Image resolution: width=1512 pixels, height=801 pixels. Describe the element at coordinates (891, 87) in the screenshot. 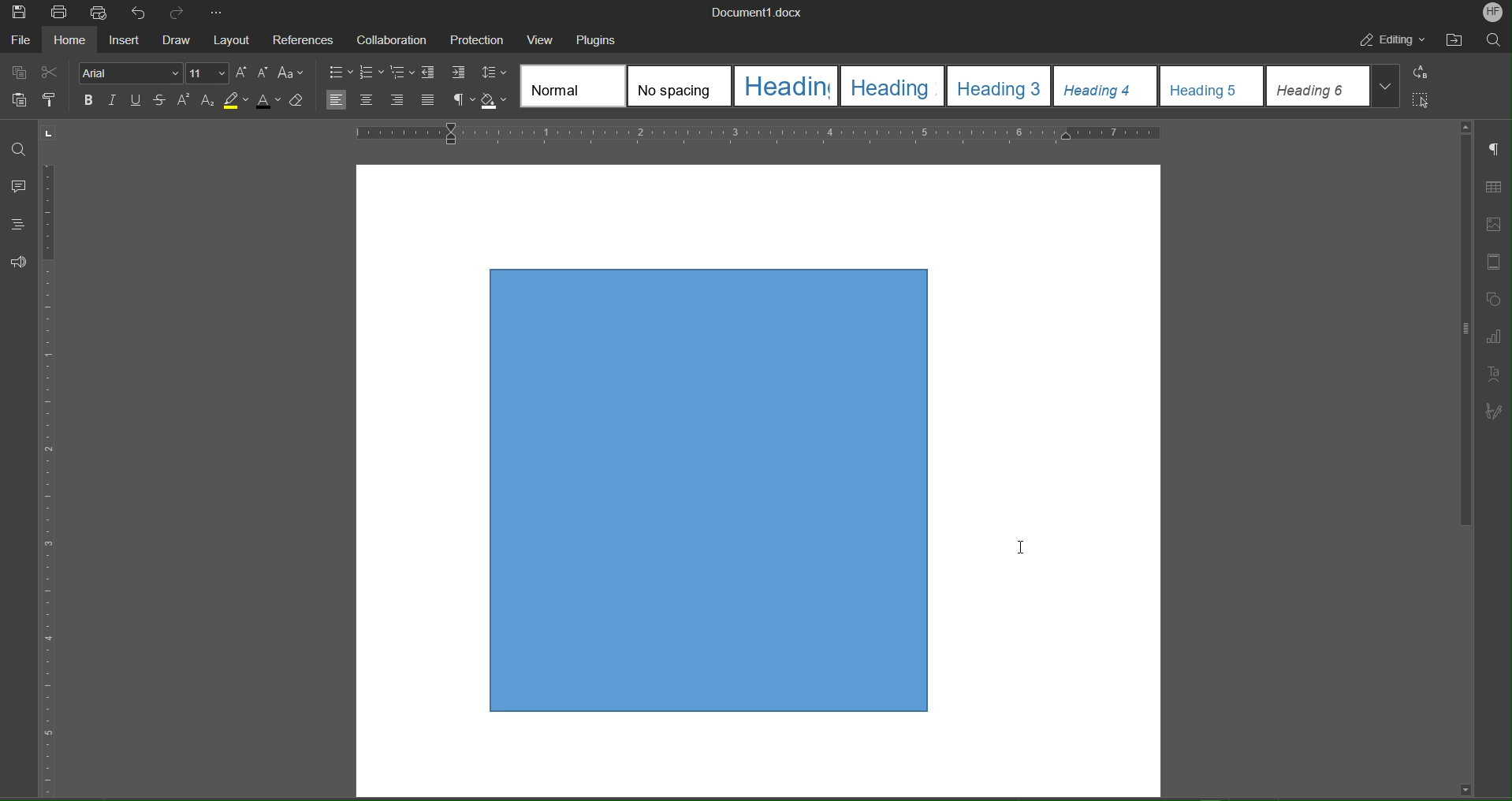

I see `Heading 2` at that location.